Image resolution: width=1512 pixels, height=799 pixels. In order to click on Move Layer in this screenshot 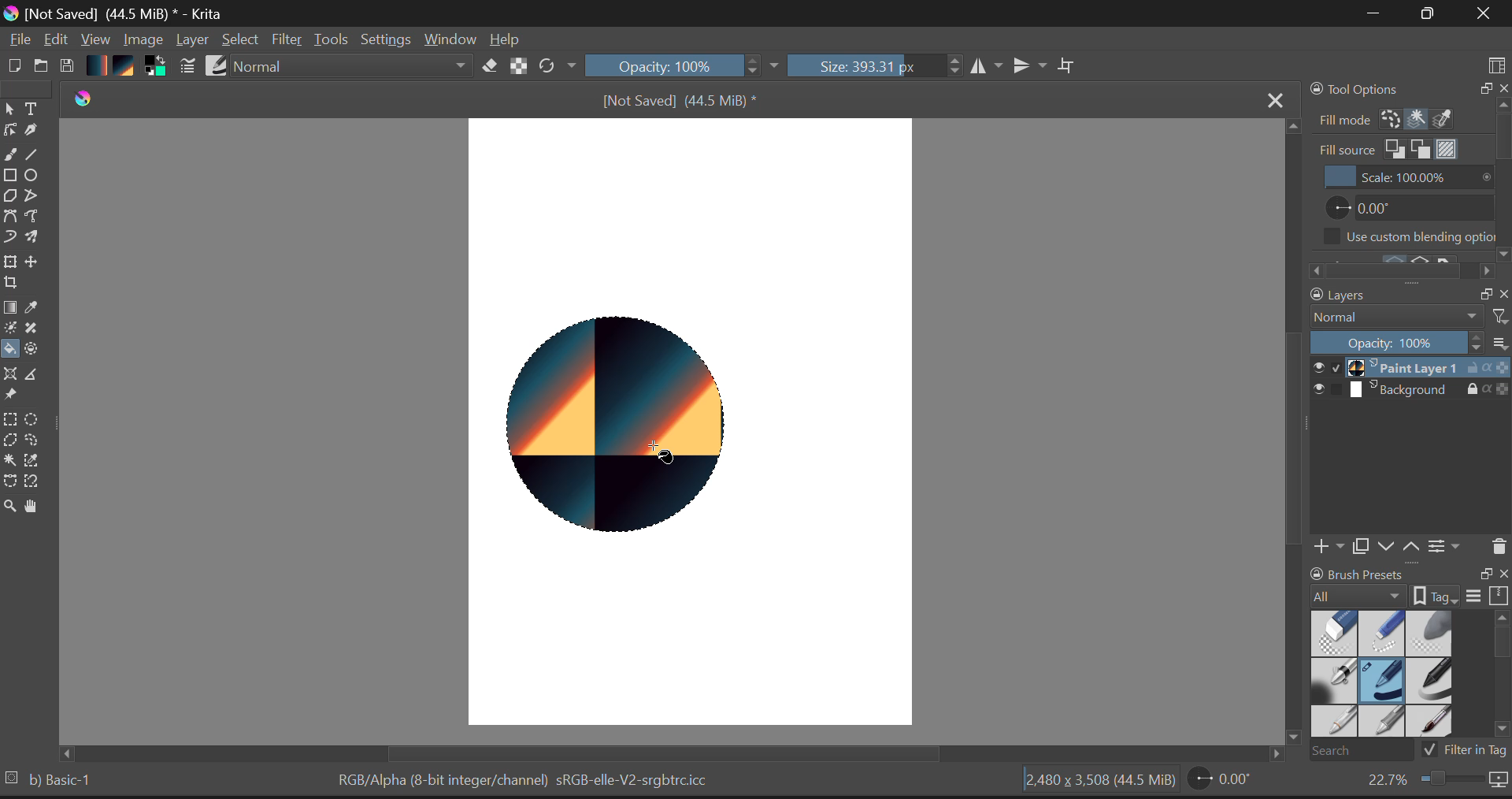, I will do `click(38, 266)`.